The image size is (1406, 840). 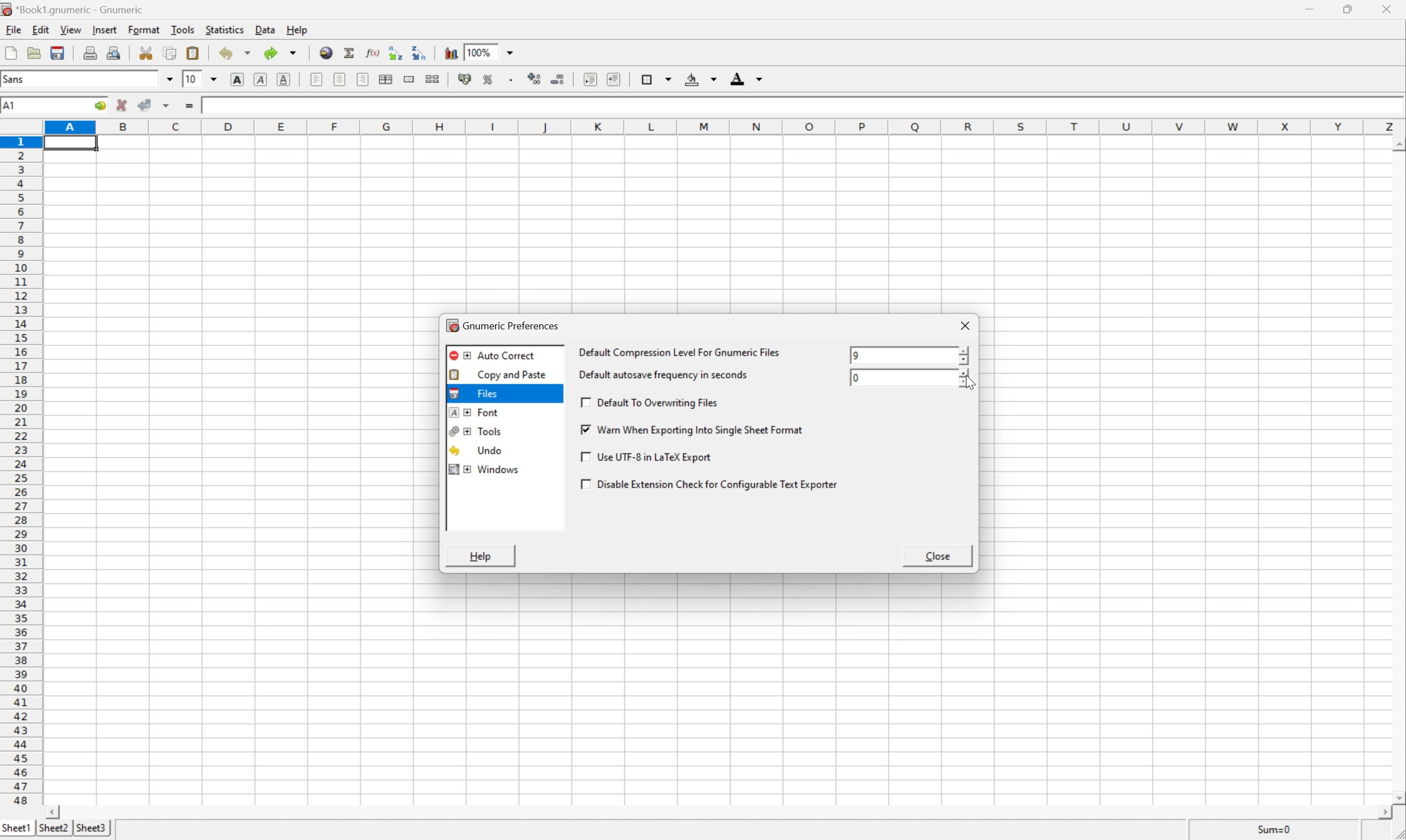 What do you see at coordinates (703, 79) in the screenshot?
I see `background color` at bounding box center [703, 79].